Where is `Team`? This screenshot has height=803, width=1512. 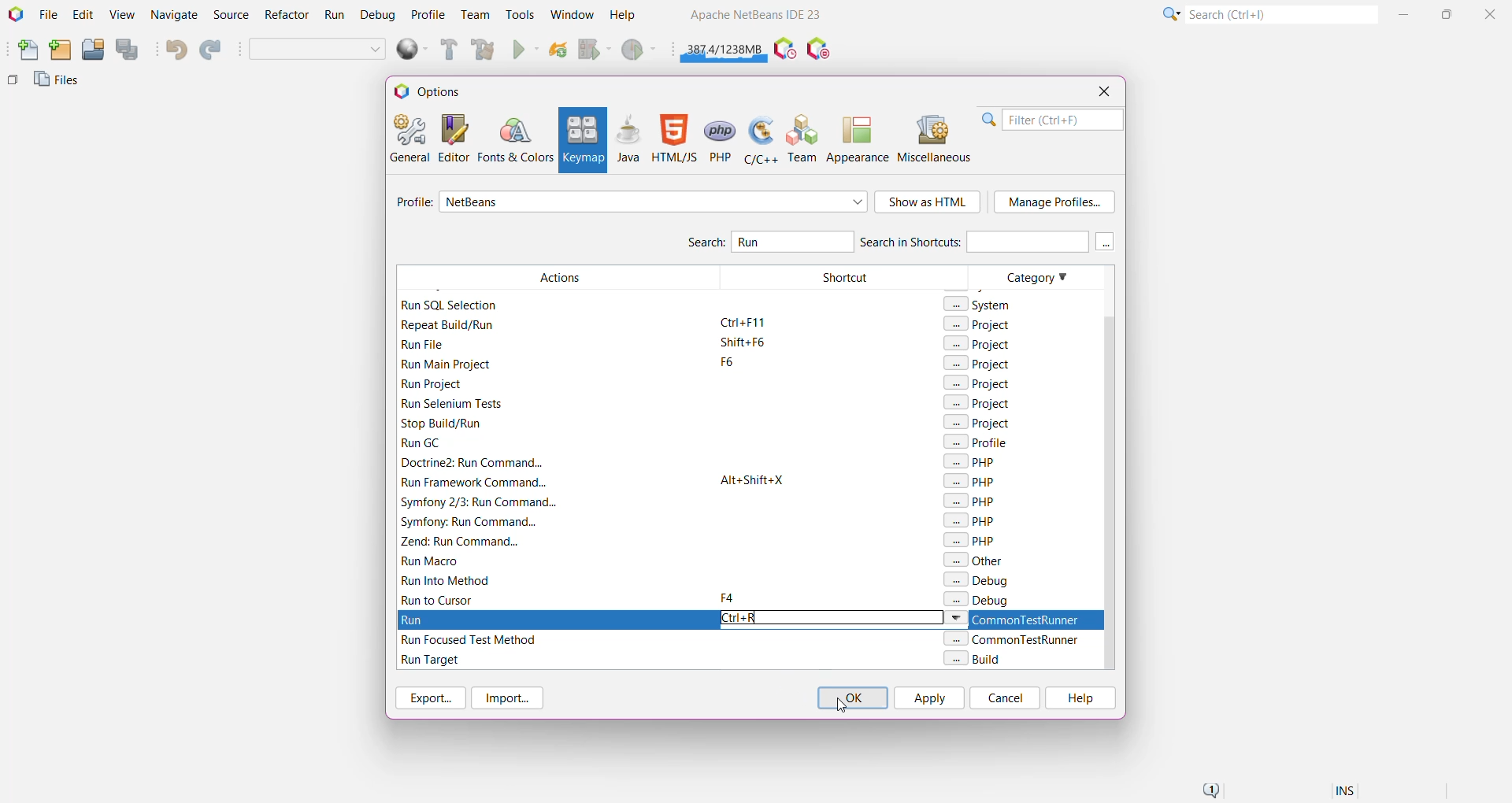 Team is located at coordinates (474, 15).